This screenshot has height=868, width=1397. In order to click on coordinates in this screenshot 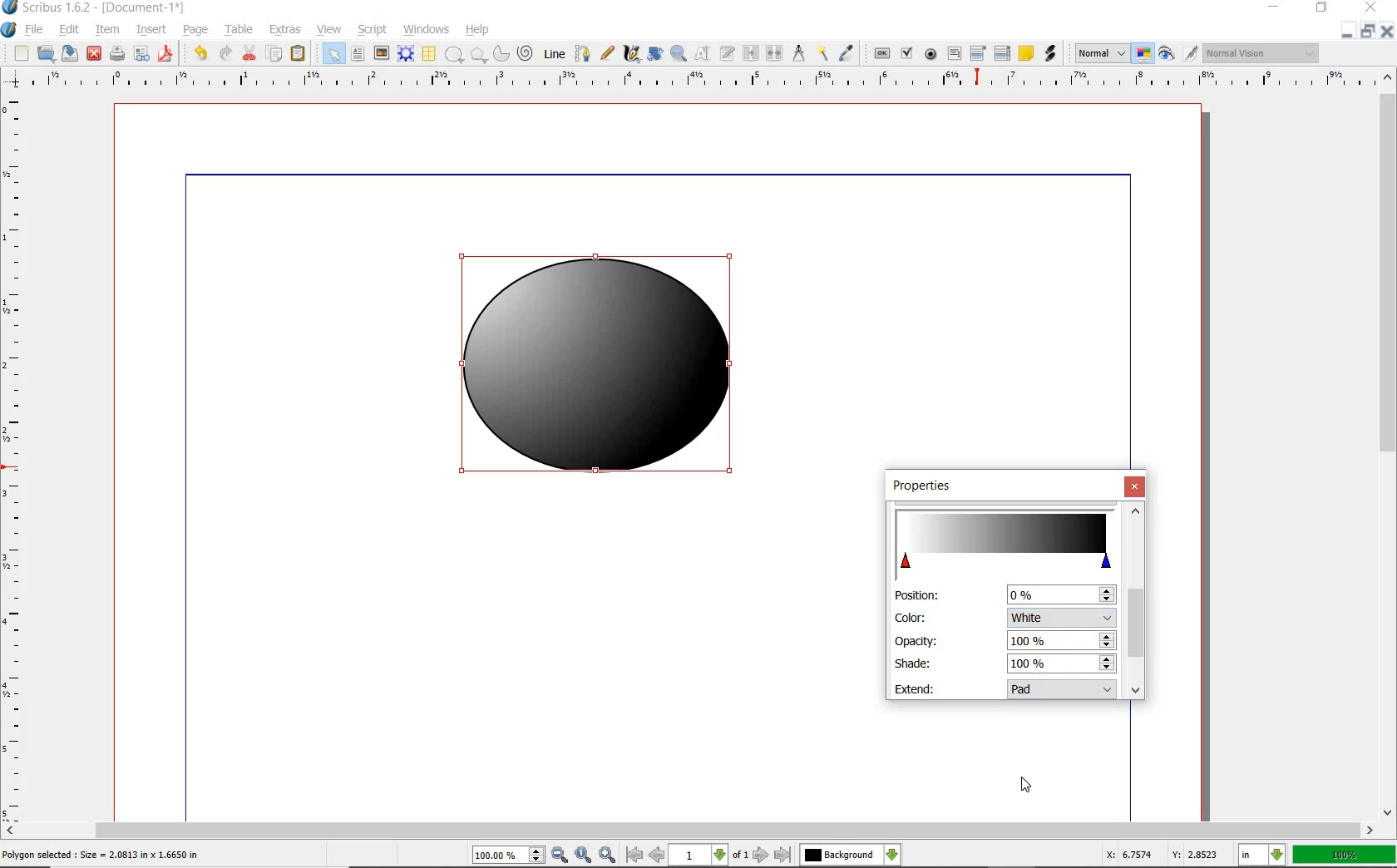, I will do `click(1160, 855)`.